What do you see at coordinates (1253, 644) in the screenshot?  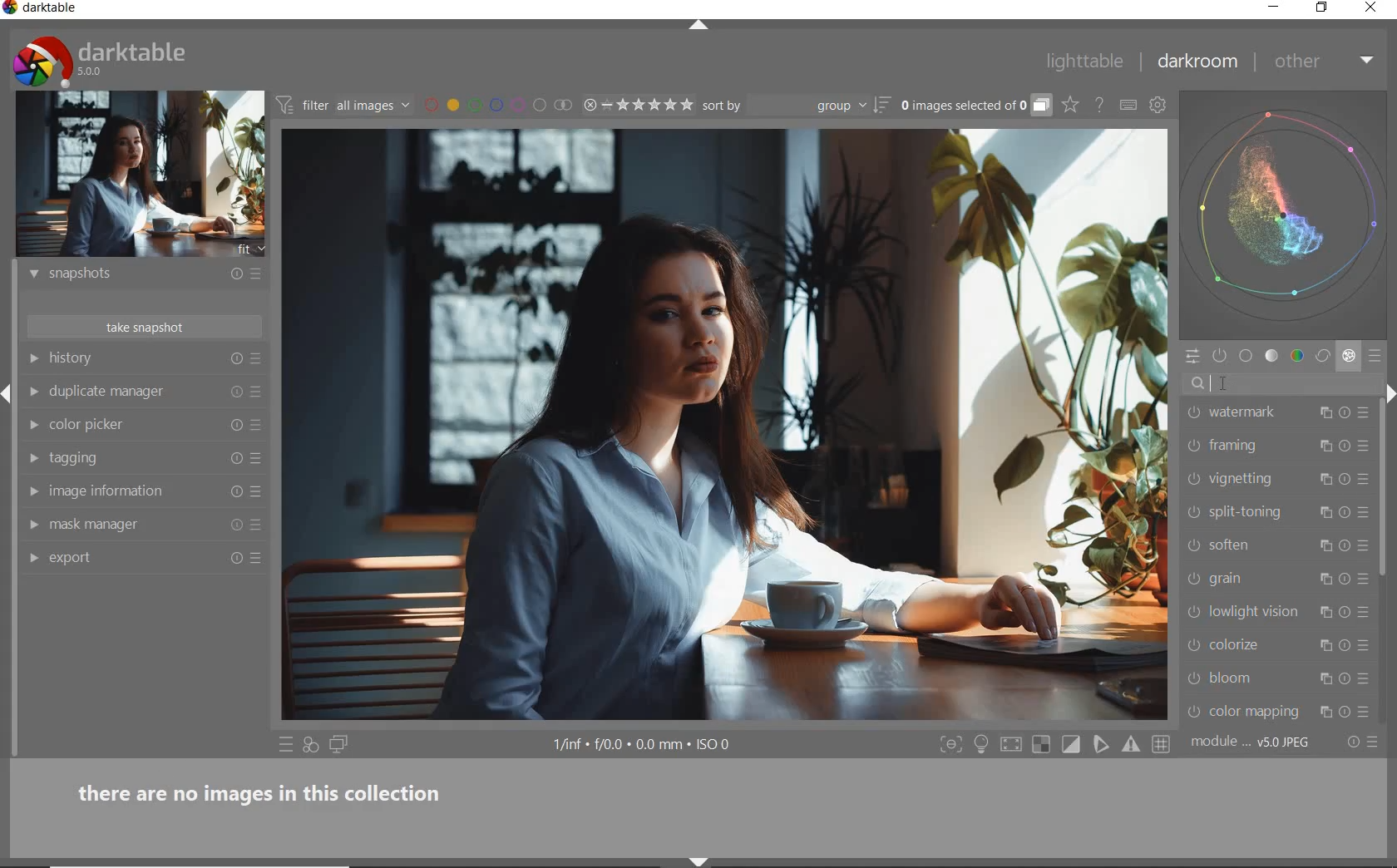 I see `colorize` at bounding box center [1253, 644].